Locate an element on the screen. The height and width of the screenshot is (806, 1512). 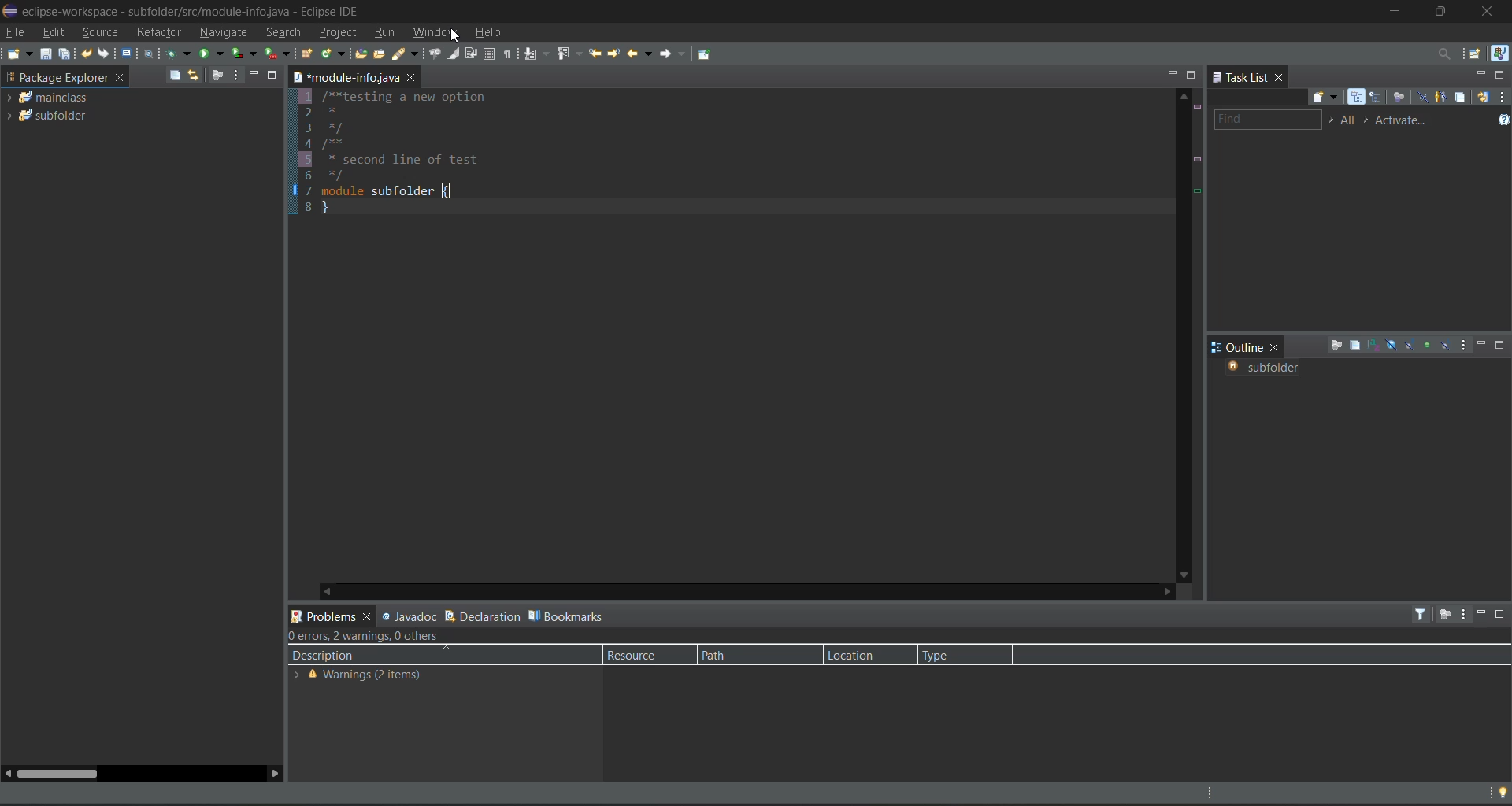
new is located at coordinates (19, 54).